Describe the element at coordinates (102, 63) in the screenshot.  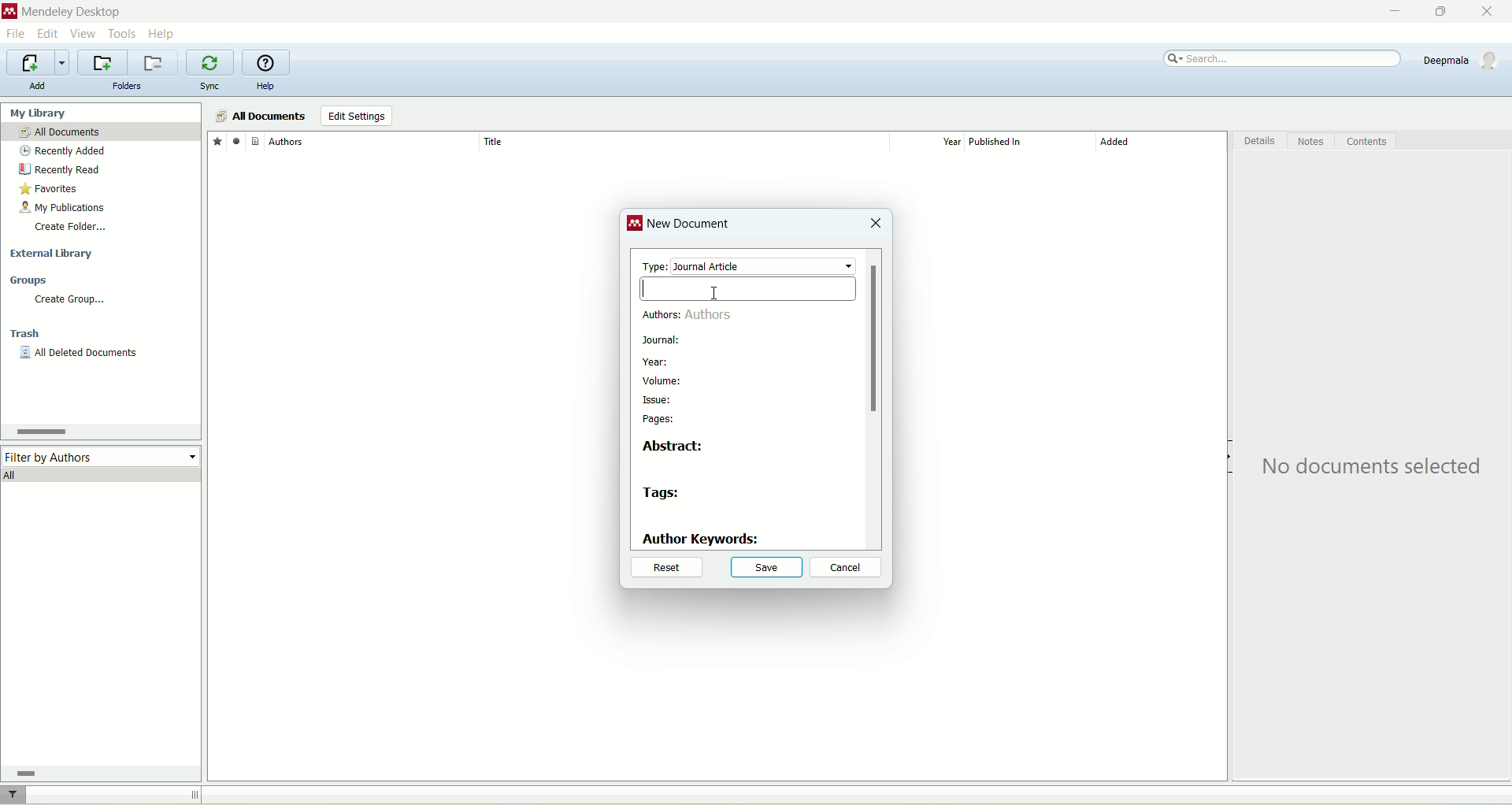
I see `create a new folder` at that location.